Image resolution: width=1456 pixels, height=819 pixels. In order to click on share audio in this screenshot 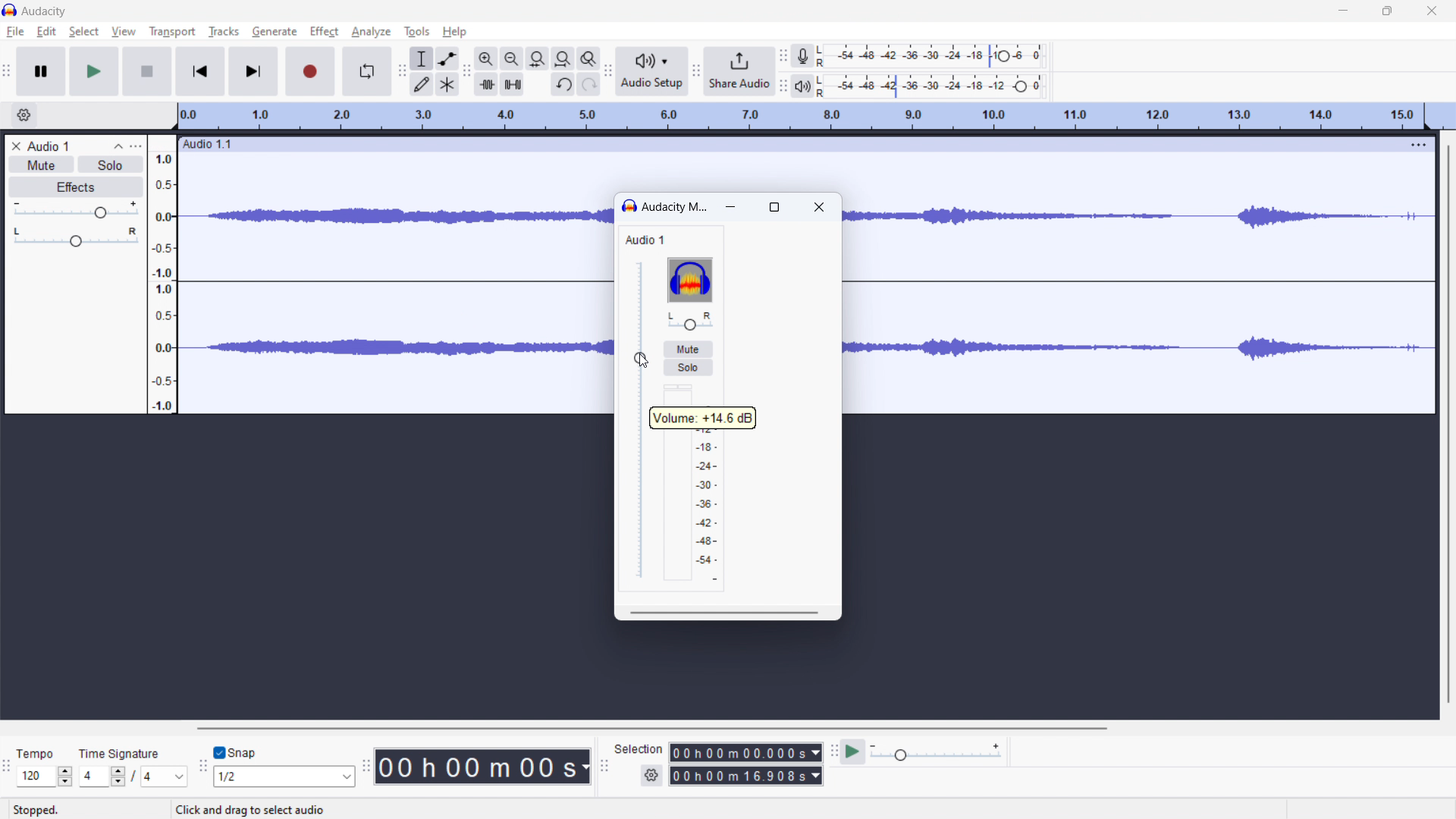, I will do `click(739, 71)`.